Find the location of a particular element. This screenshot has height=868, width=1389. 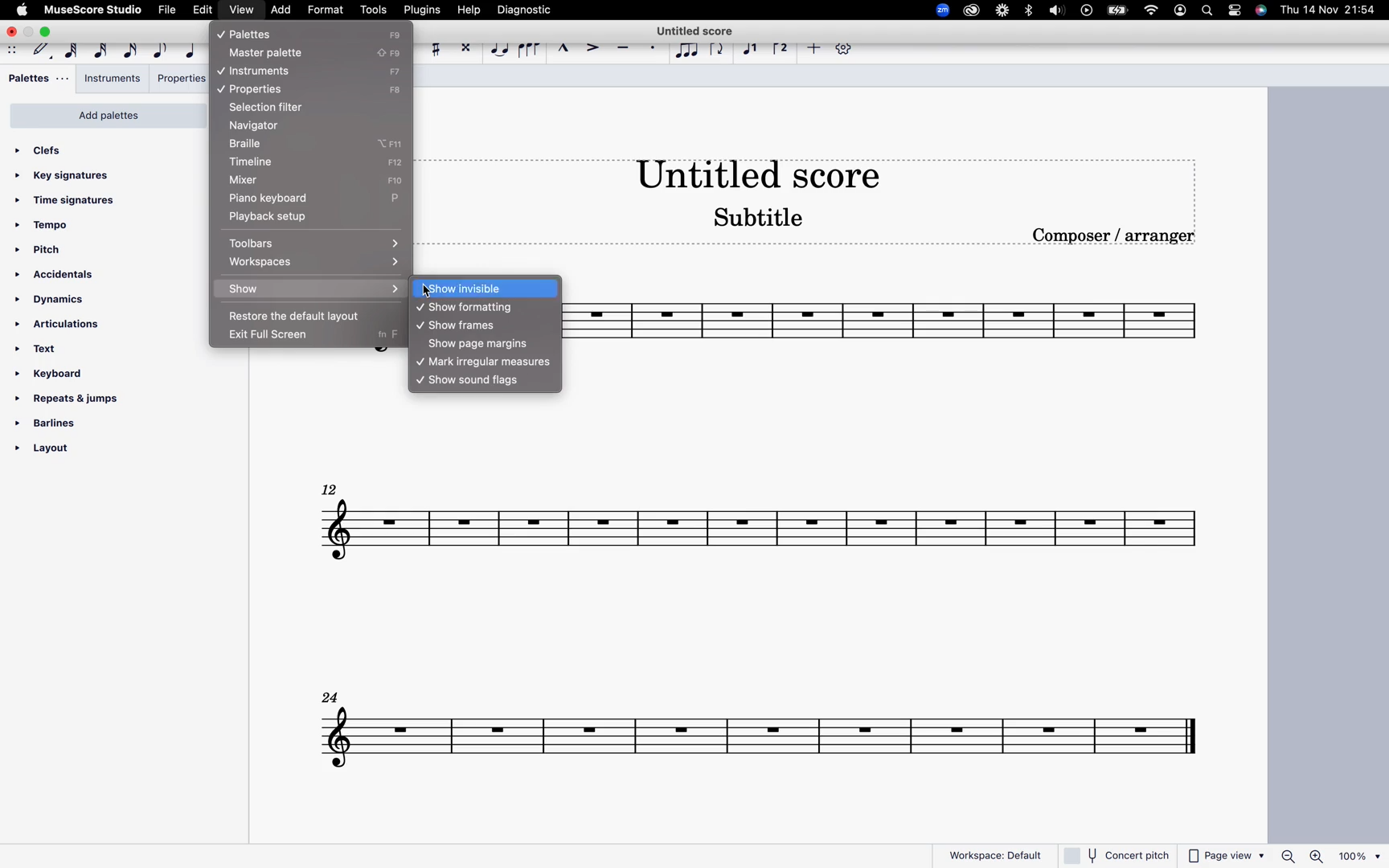

selection filter is located at coordinates (279, 107).